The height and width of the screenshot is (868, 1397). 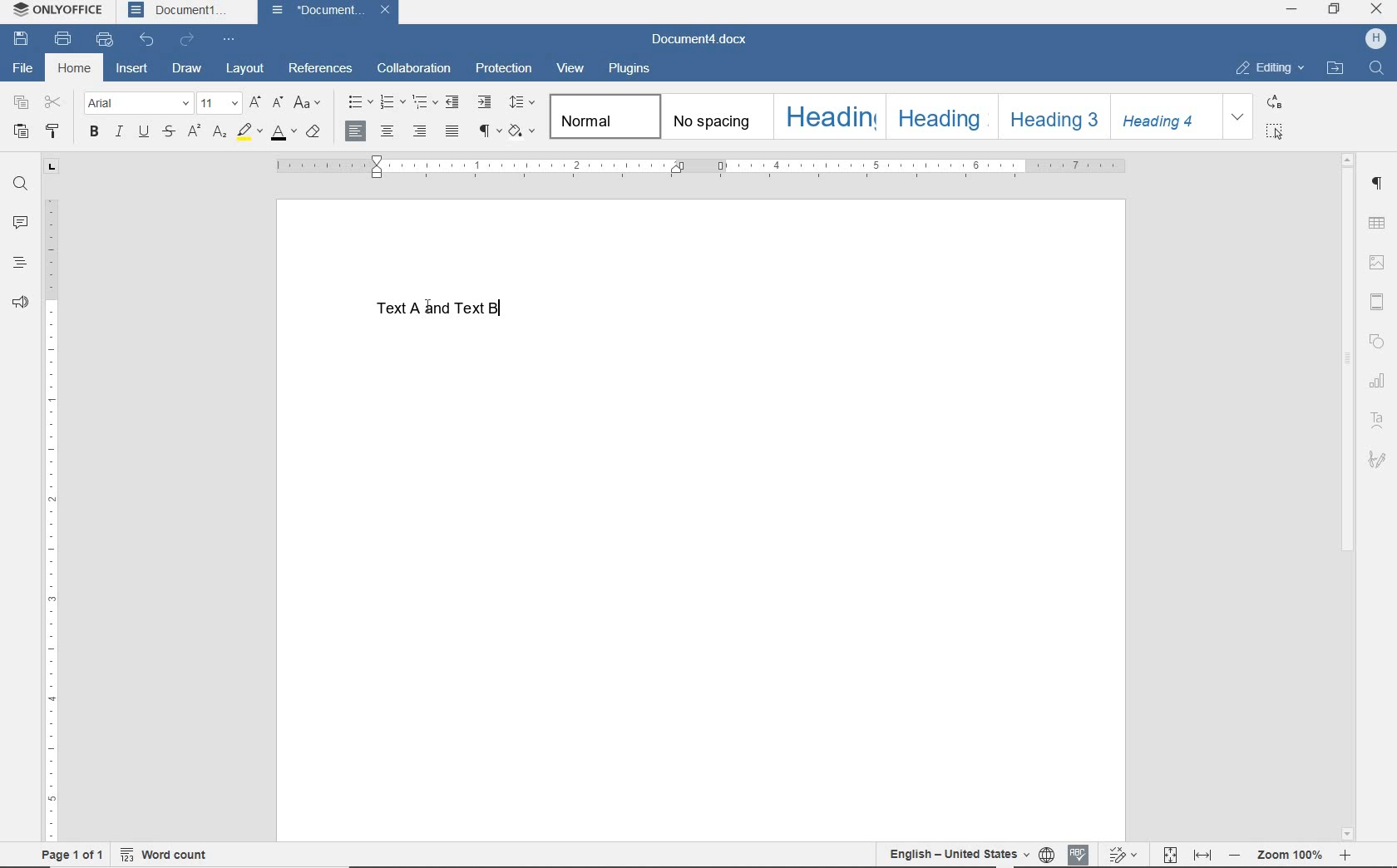 I want to click on SPELL CHECKING, so click(x=1078, y=851).